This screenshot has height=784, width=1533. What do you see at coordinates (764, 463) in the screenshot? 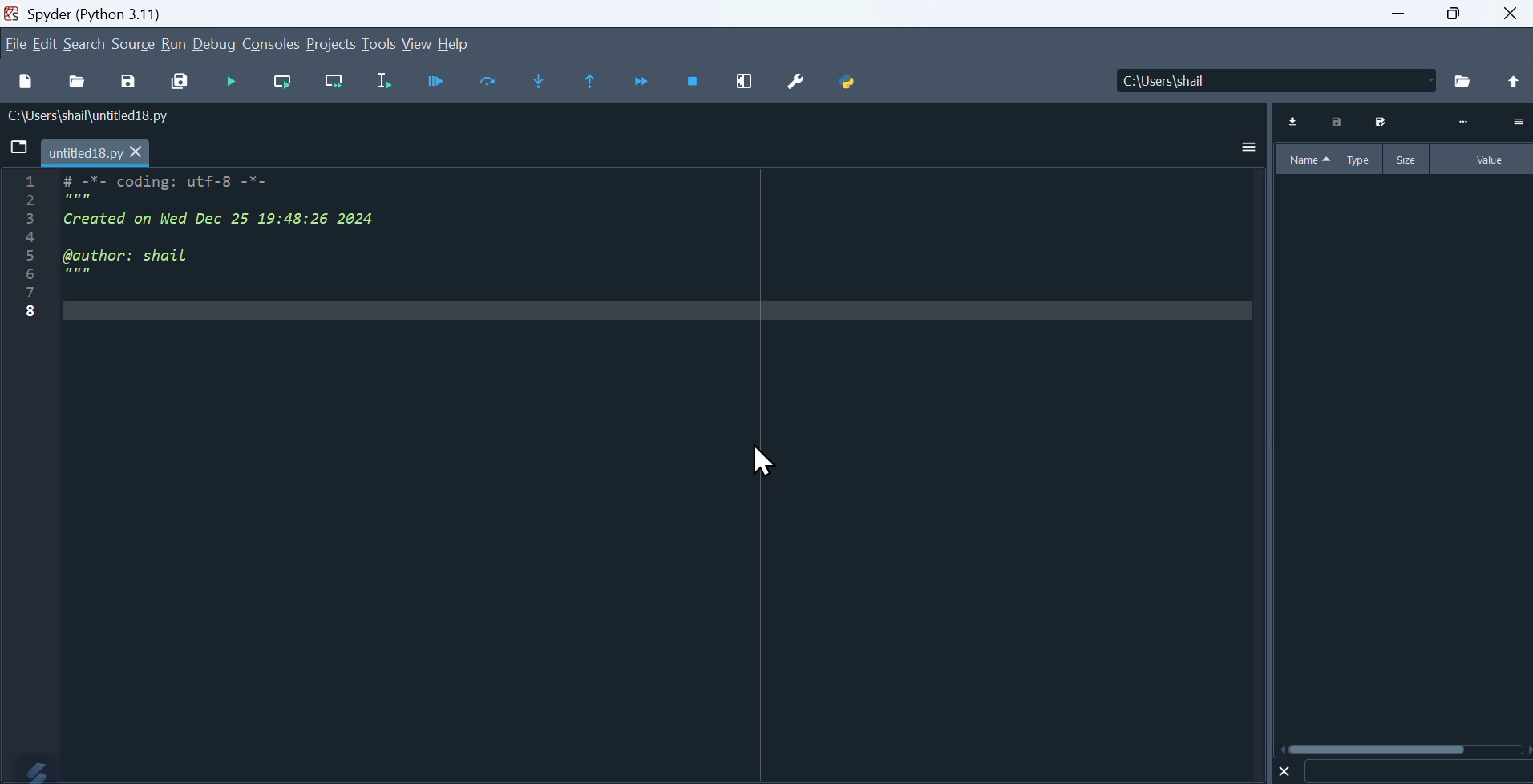
I see `cursor` at bounding box center [764, 463].